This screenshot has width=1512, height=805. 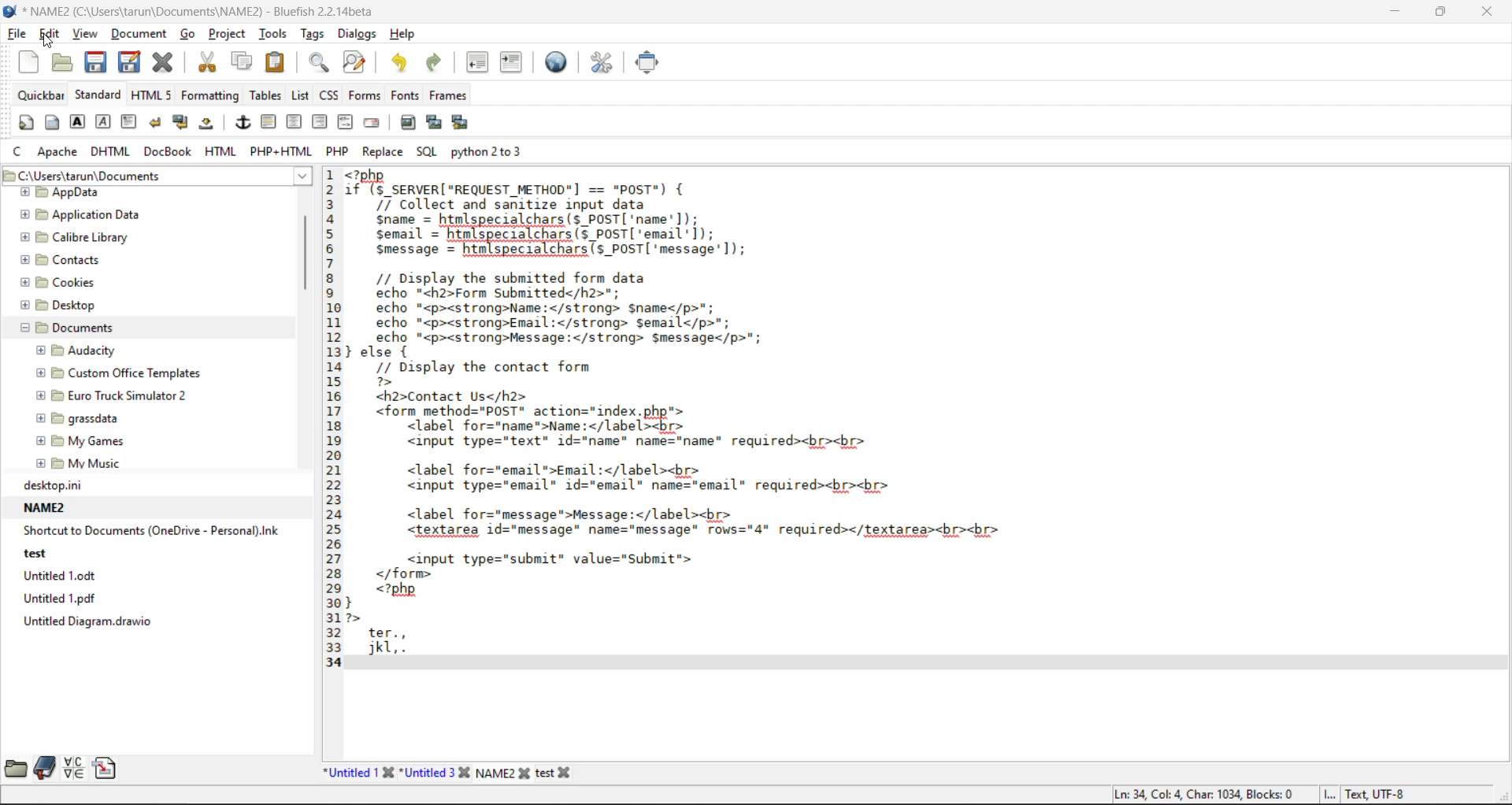 What do you see at coordinates (56, 597) in the screenshot?
I see `Untitled 1.pdf` at bounding box center [56, 597].